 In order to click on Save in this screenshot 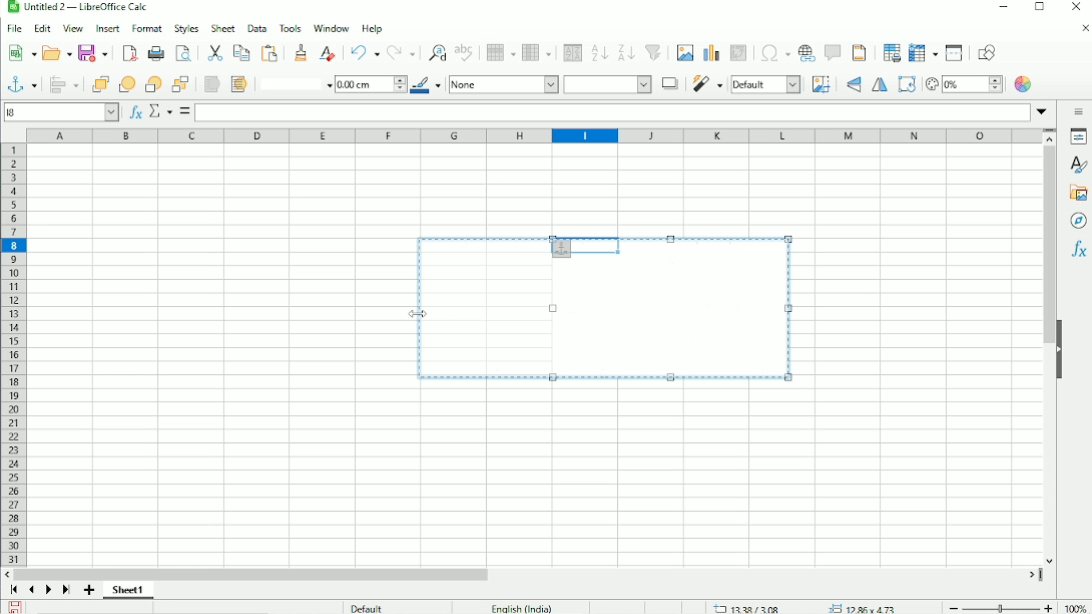, I will do `click(16, 606)`.